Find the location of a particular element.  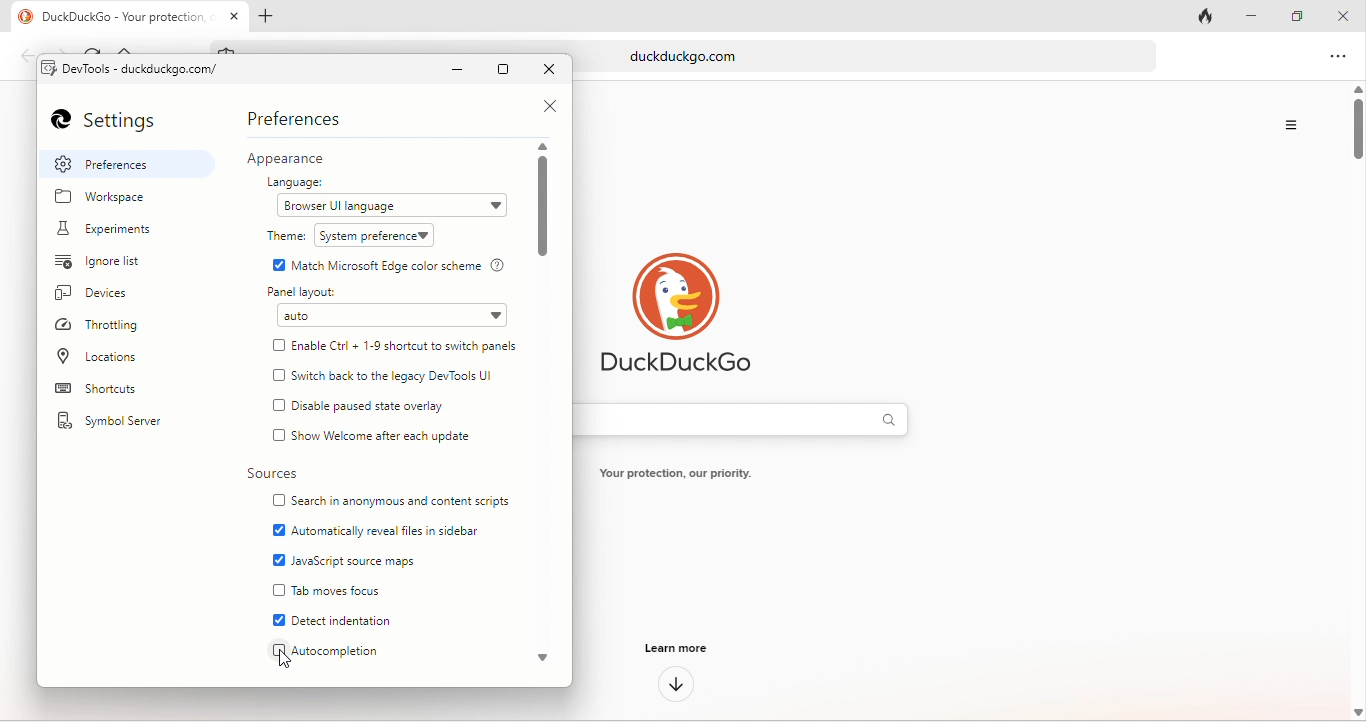

duckduck go logo is located at coordinates (18, 19).